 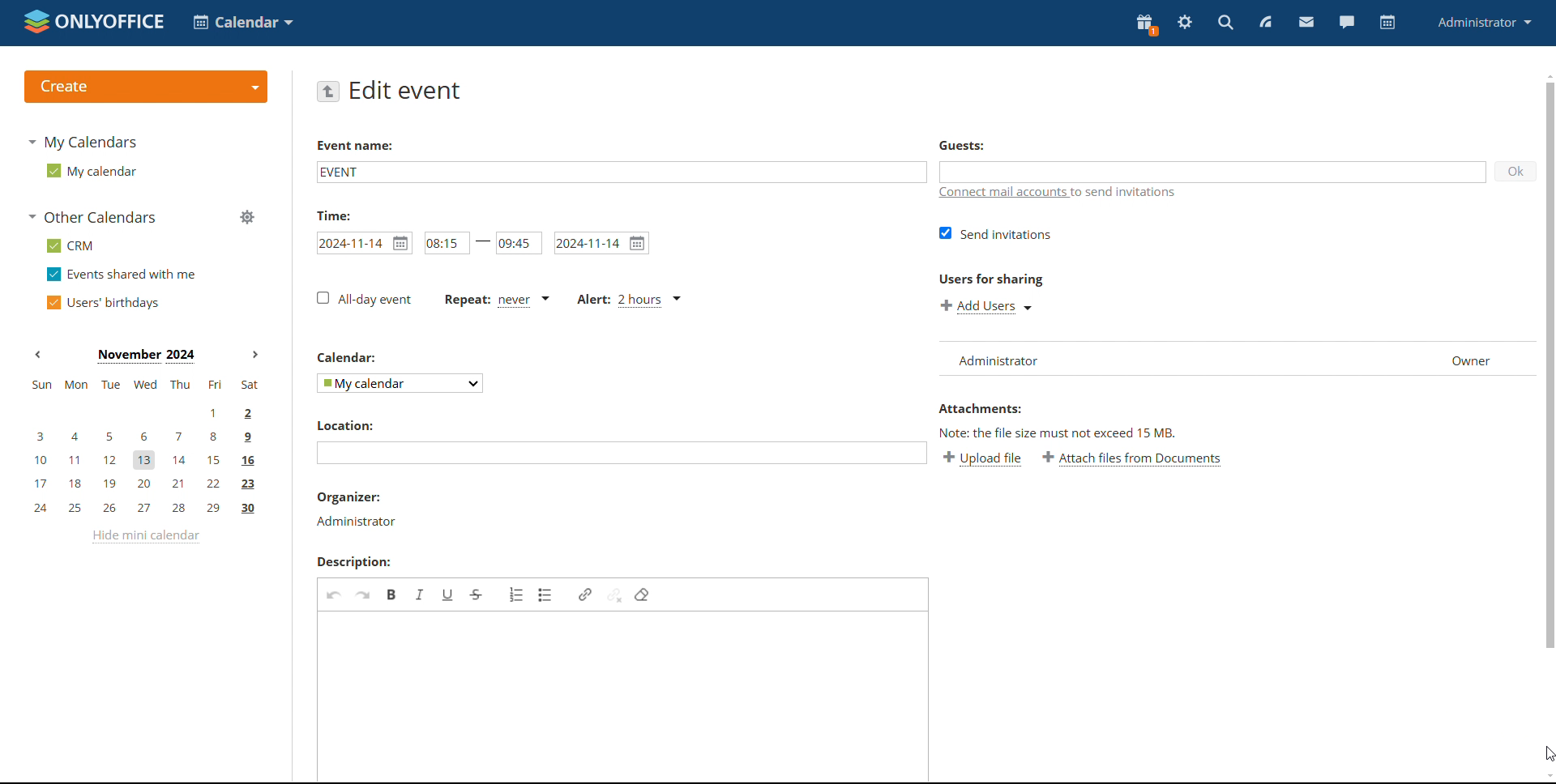 What do you see at coordinates (85, 143) in the screenshot?
I see `my calendars` at bounding box center [85, 143].